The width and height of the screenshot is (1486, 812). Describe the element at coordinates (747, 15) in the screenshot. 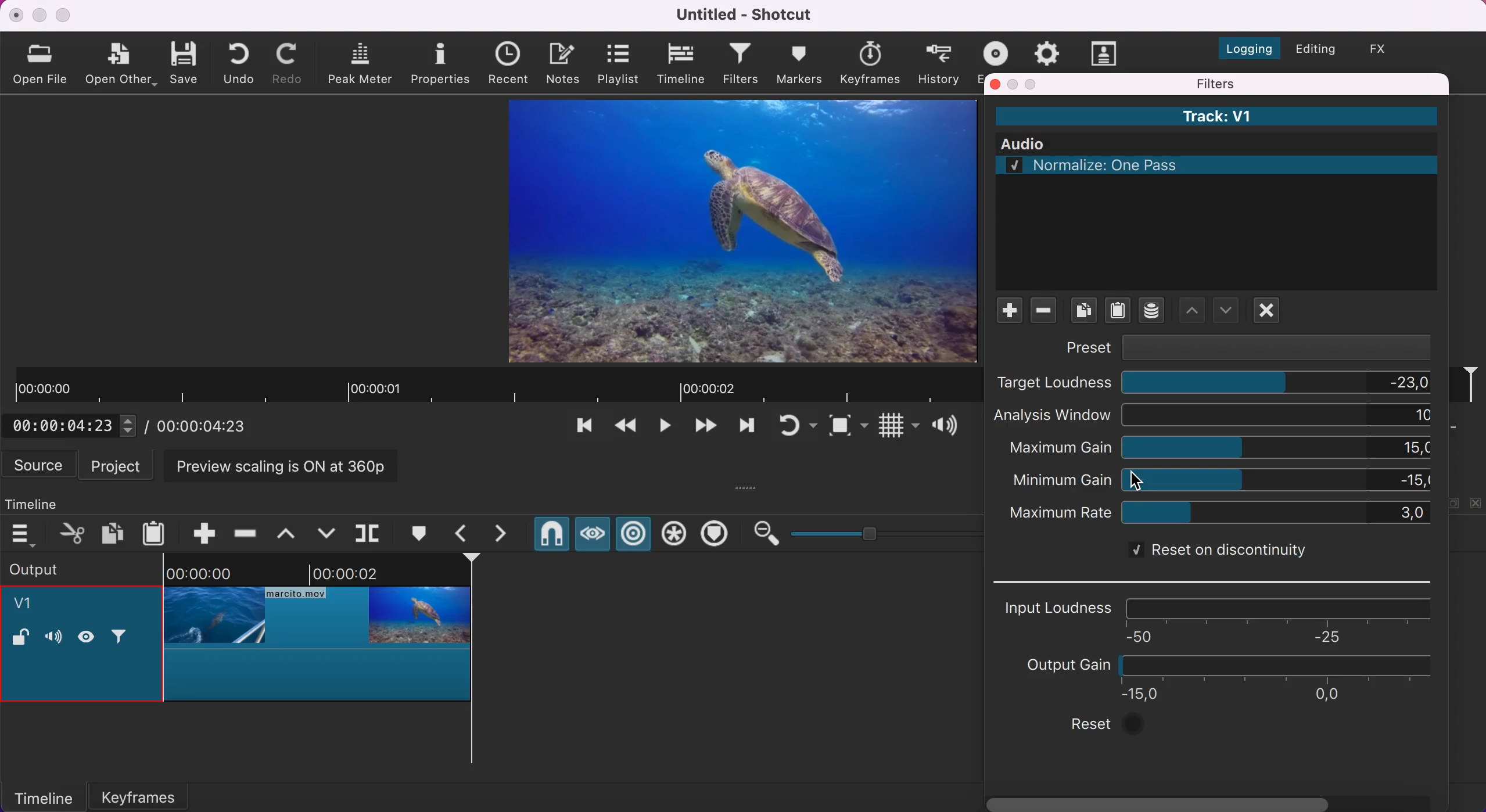

I see `Untitled - Shotcut` at that location.